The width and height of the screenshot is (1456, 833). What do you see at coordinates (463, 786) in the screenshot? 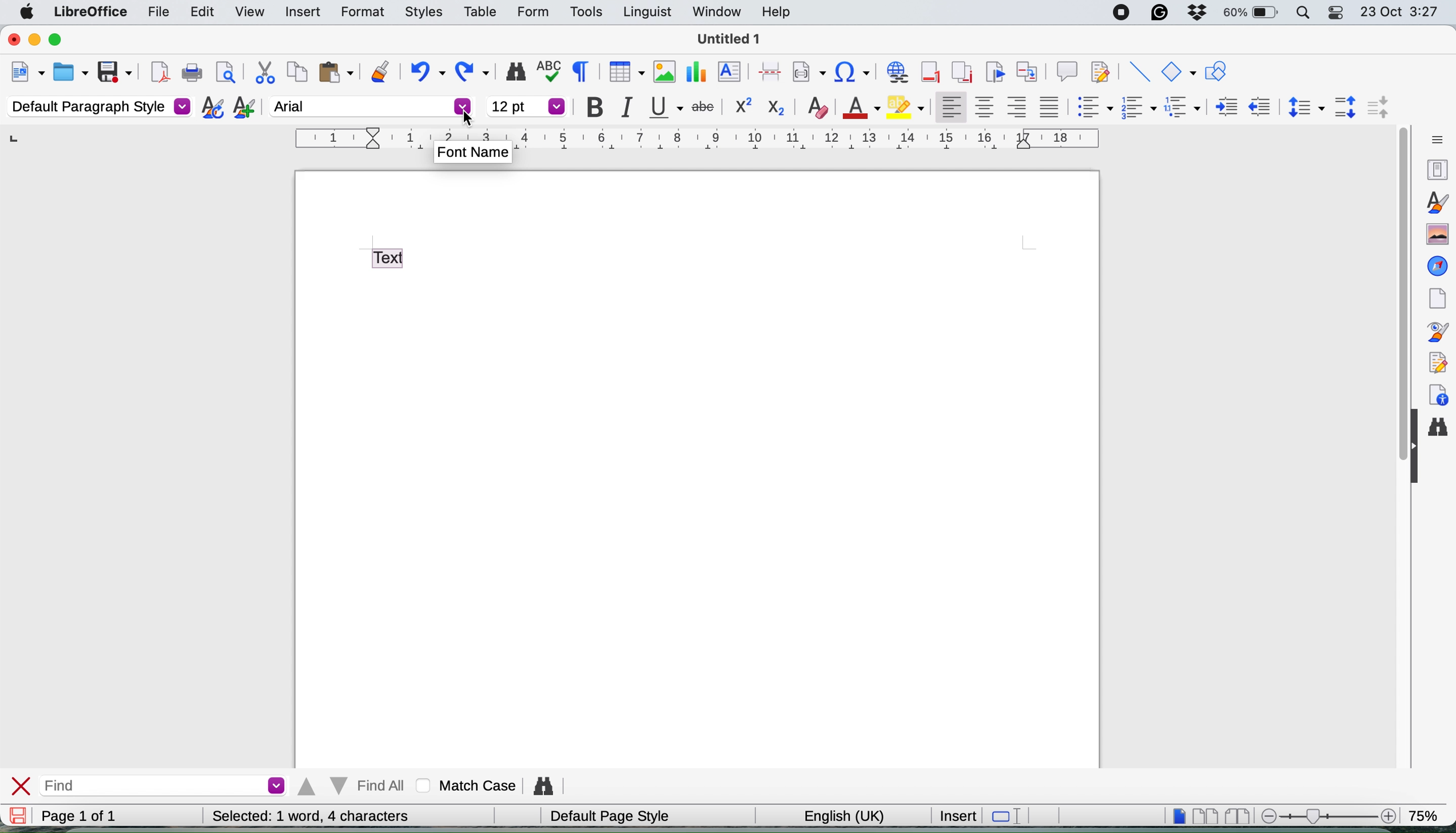
I see `match case` at bounding box center [463, 786].